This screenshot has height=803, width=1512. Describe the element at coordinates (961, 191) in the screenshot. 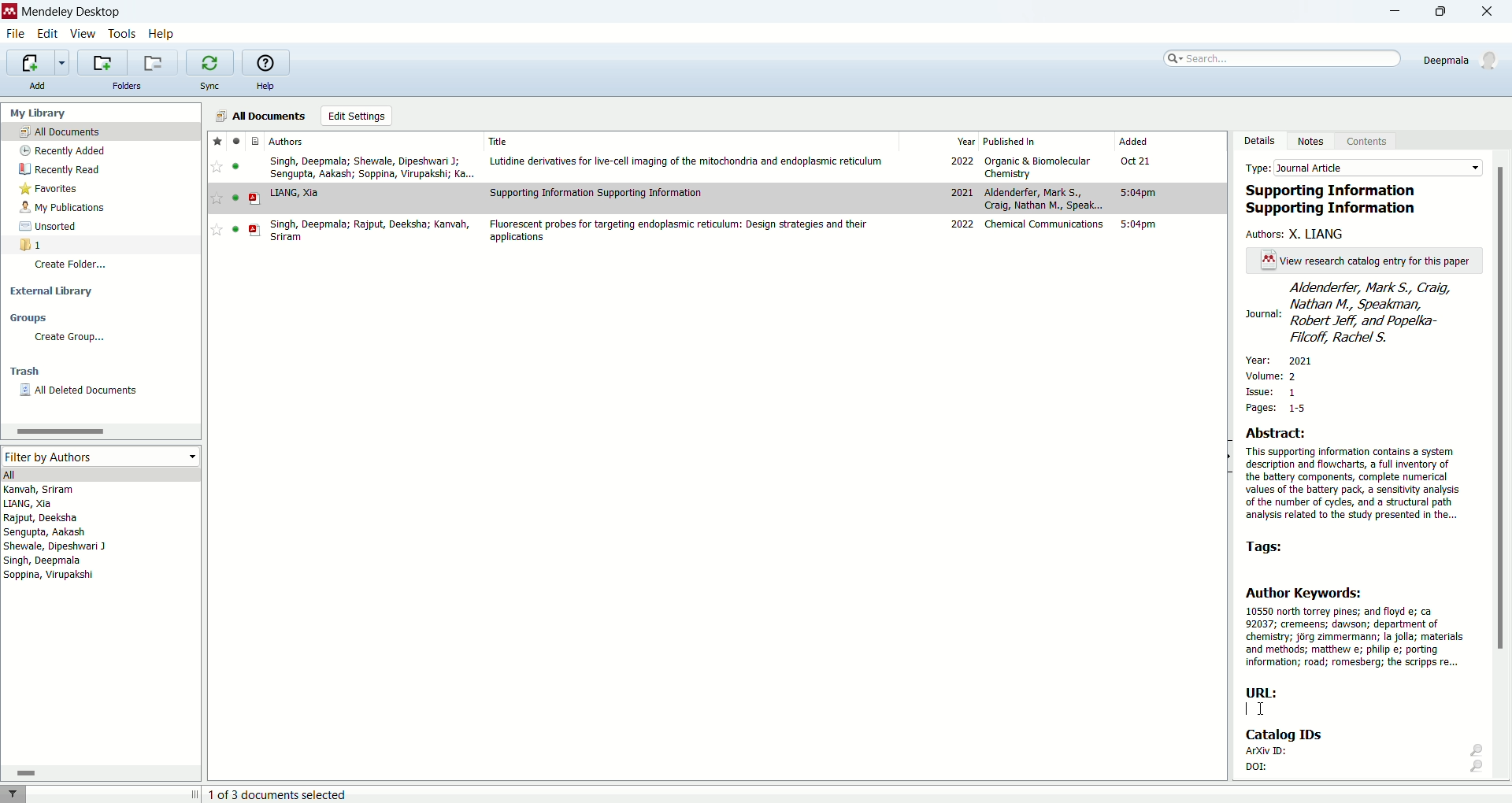

I see `2021` at that location.